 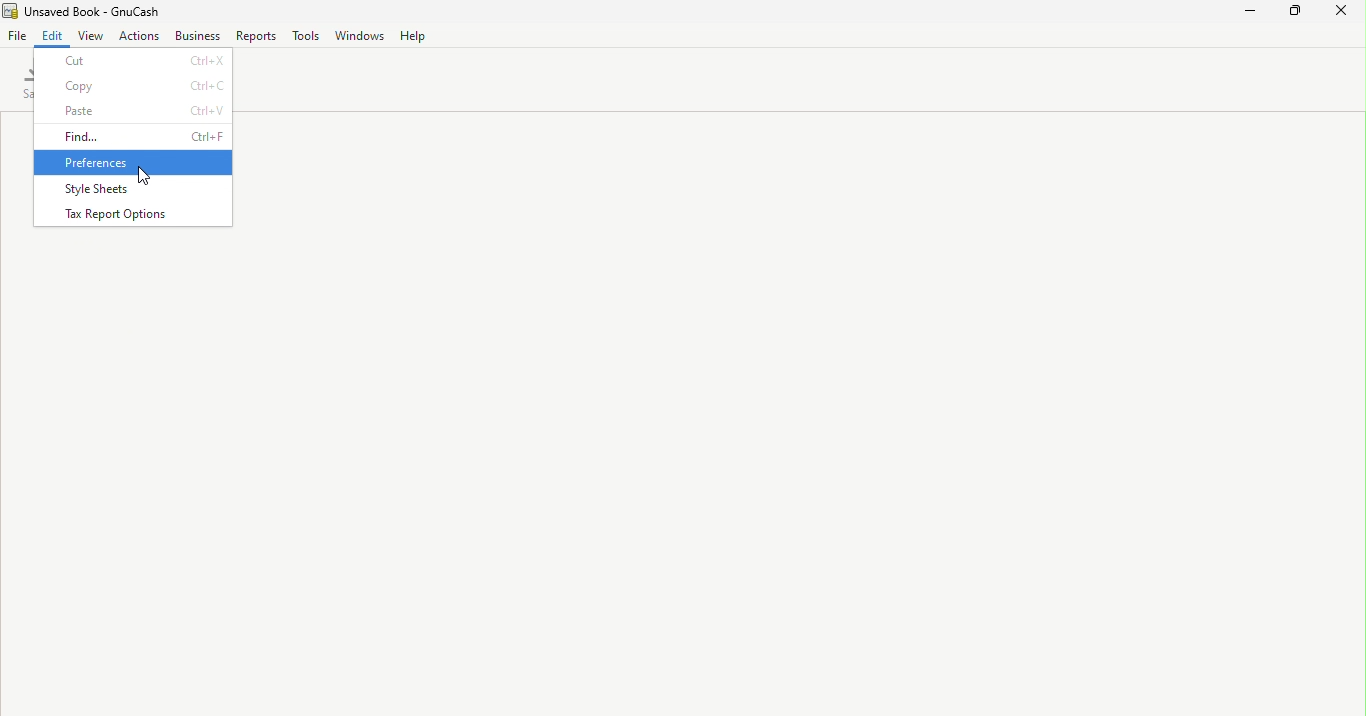 I want to click on Style sheets, so click(x=129, y=188).